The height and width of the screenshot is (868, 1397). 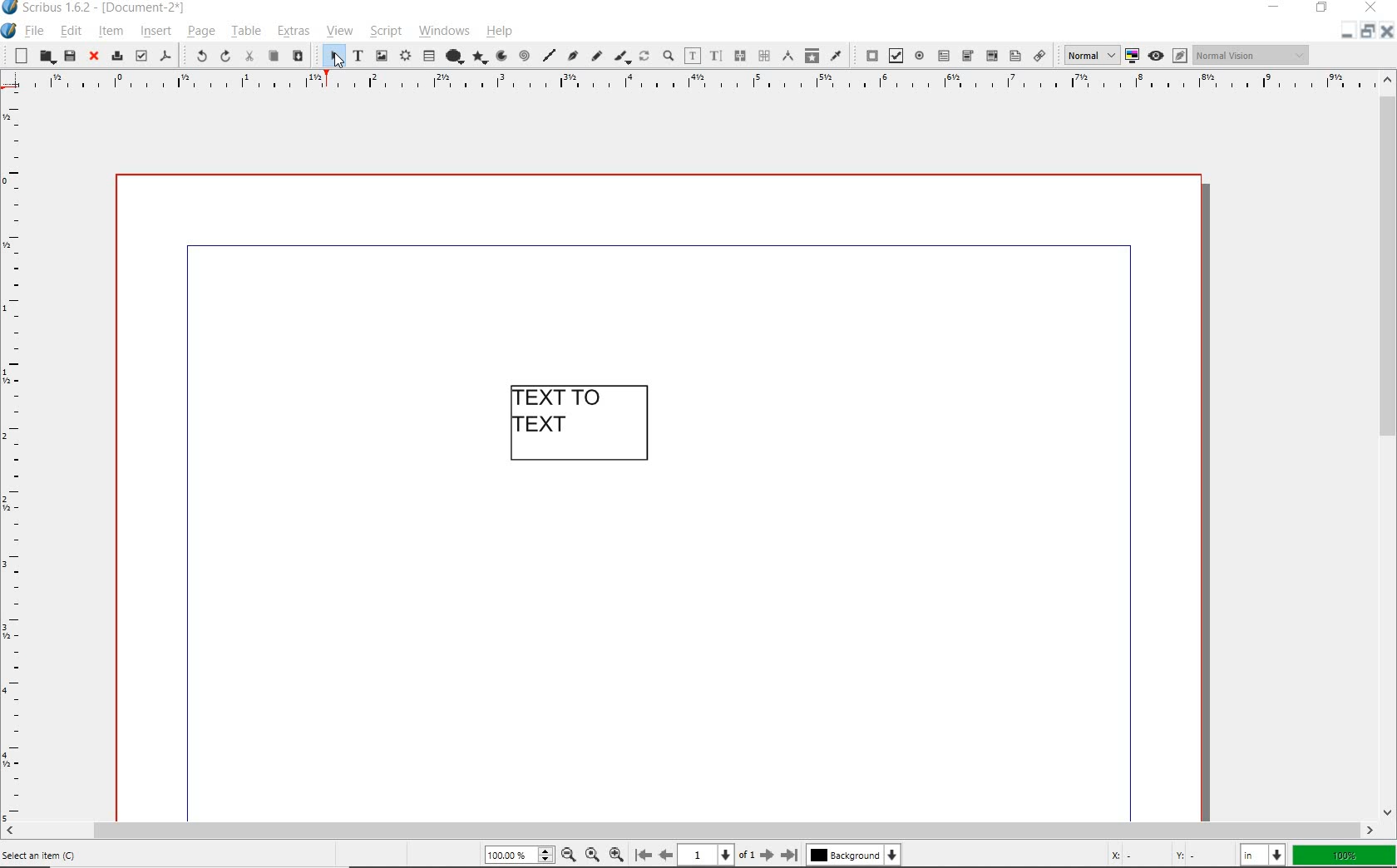 What do you see at coordinates (274, 57) in the screenshot?
I see `copy` at bounding box center [274, 57].